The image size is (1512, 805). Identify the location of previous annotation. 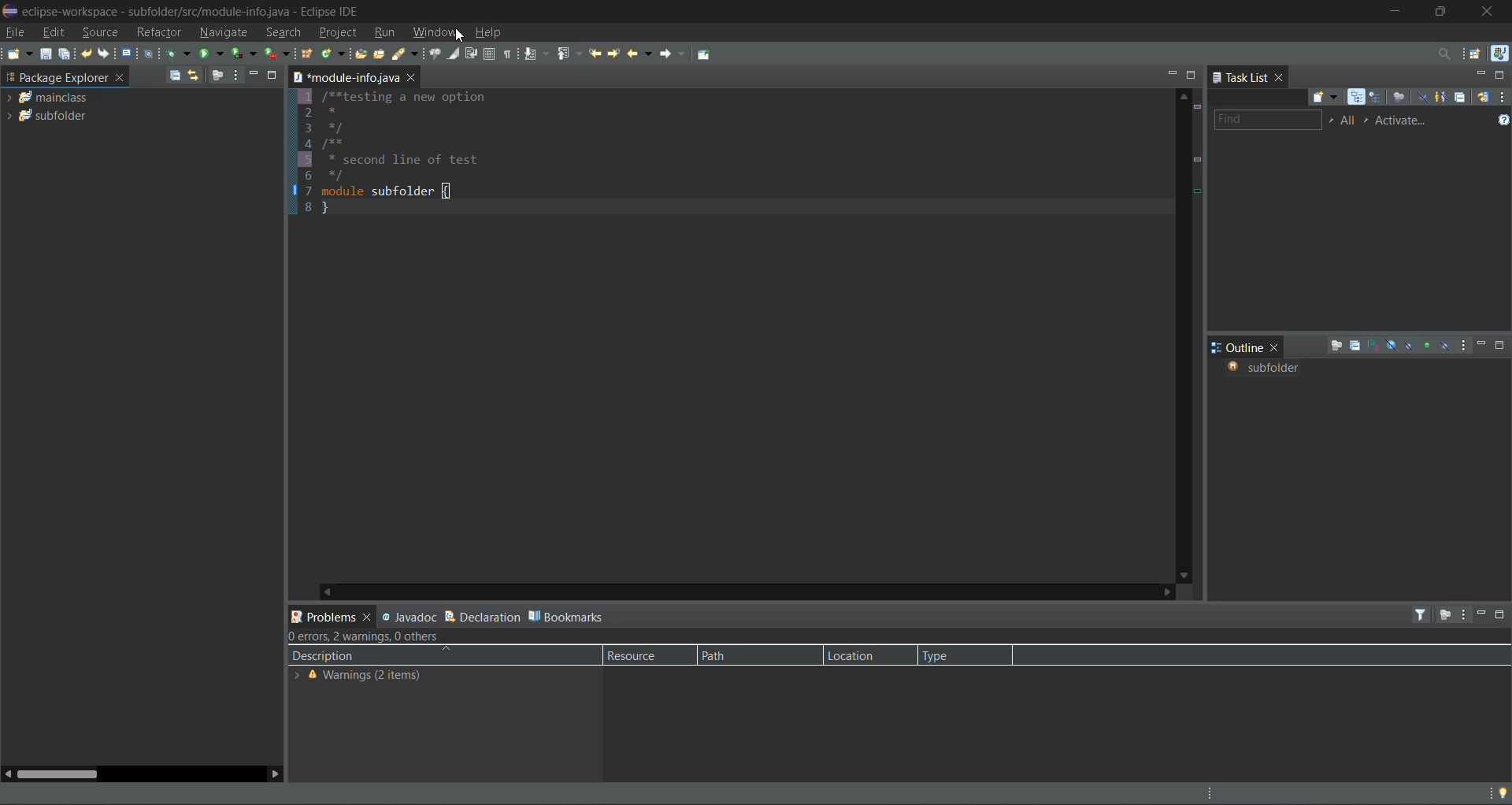
(569, 54).